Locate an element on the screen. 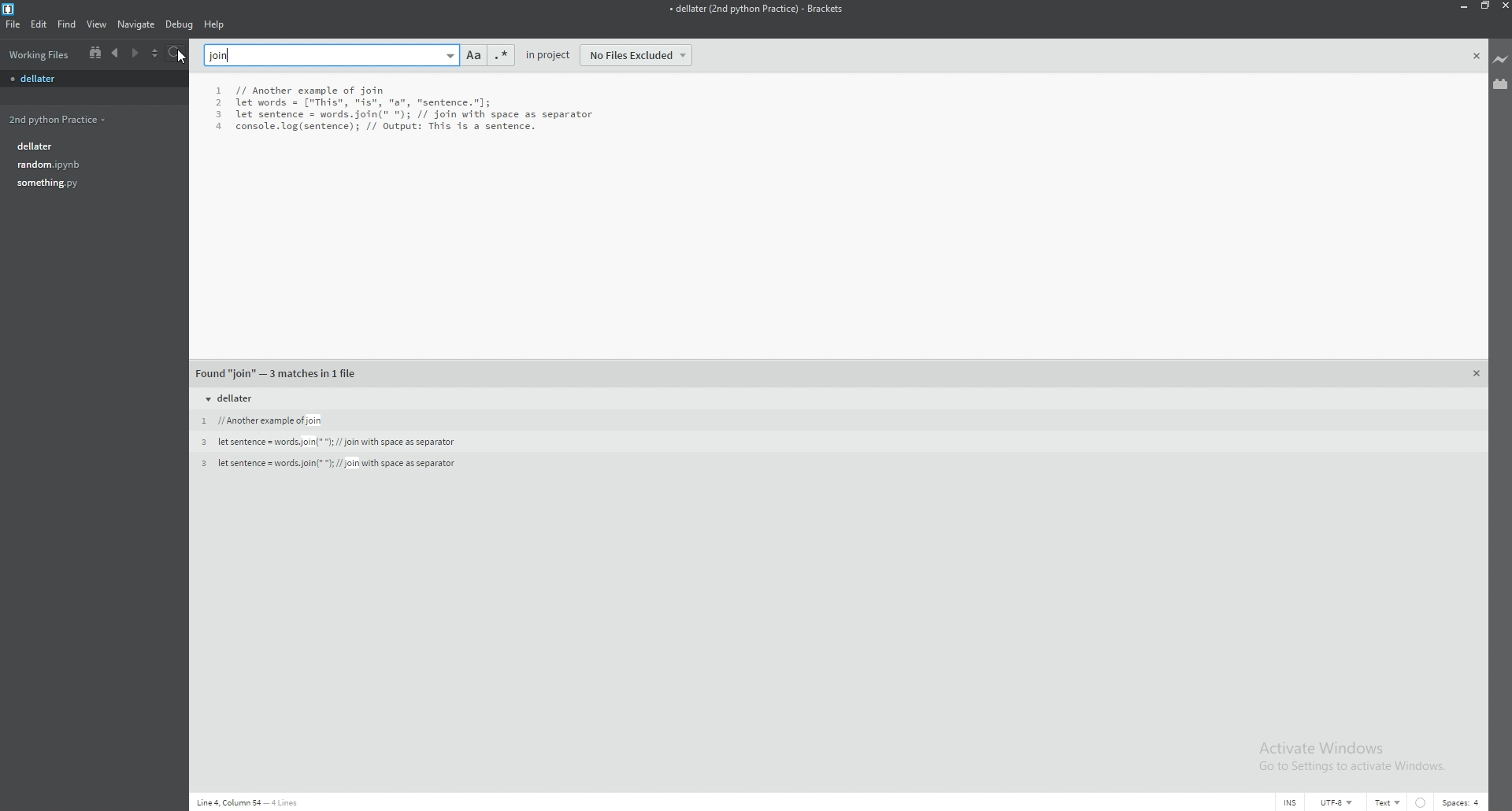  Activate Windows
Go to Settings to activate Windows. is located at coordinates (1357, 754).